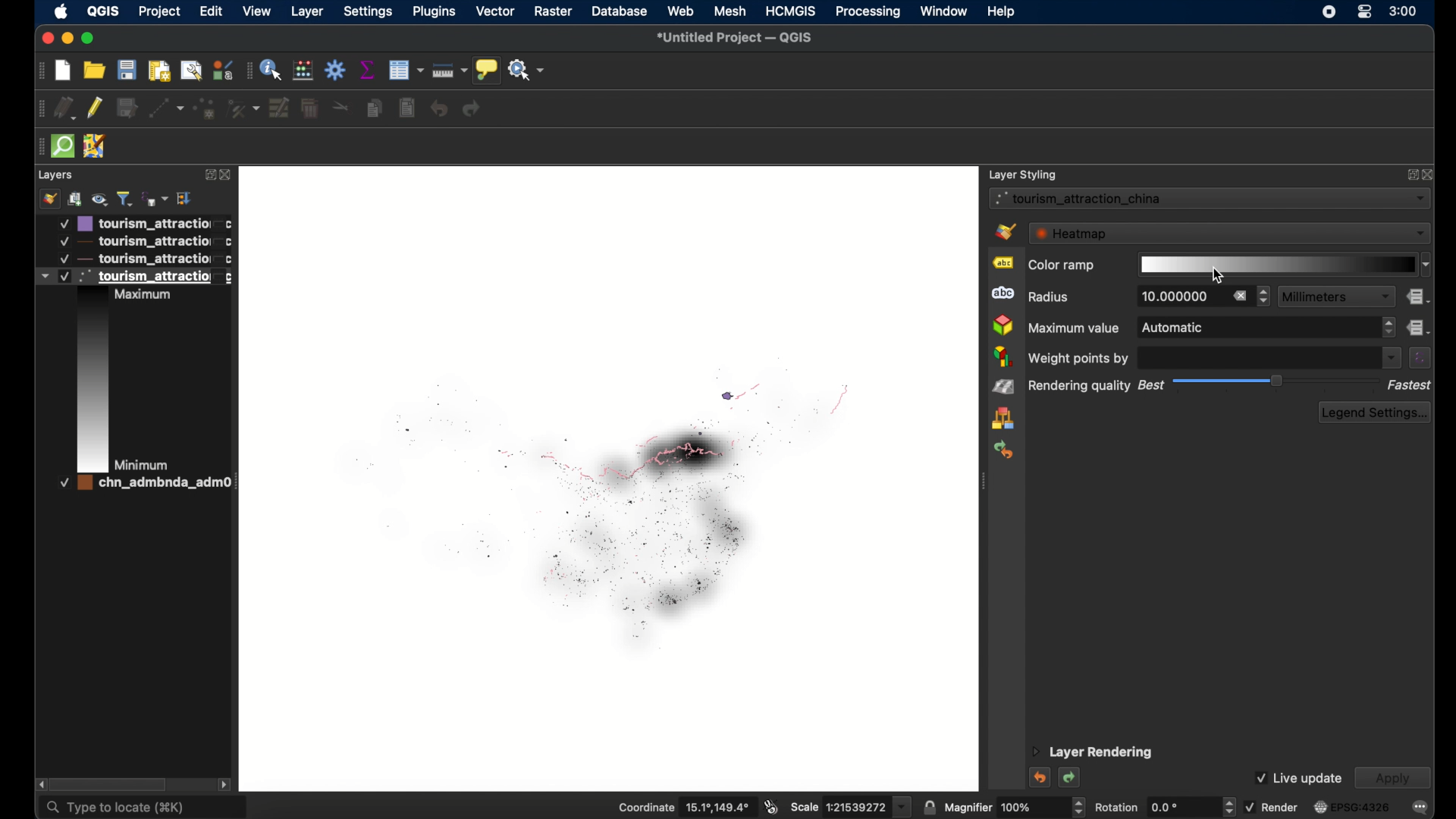  Describe the element at coordinates (95, 108) in the screenshot. I see `toggle editing` at that location.